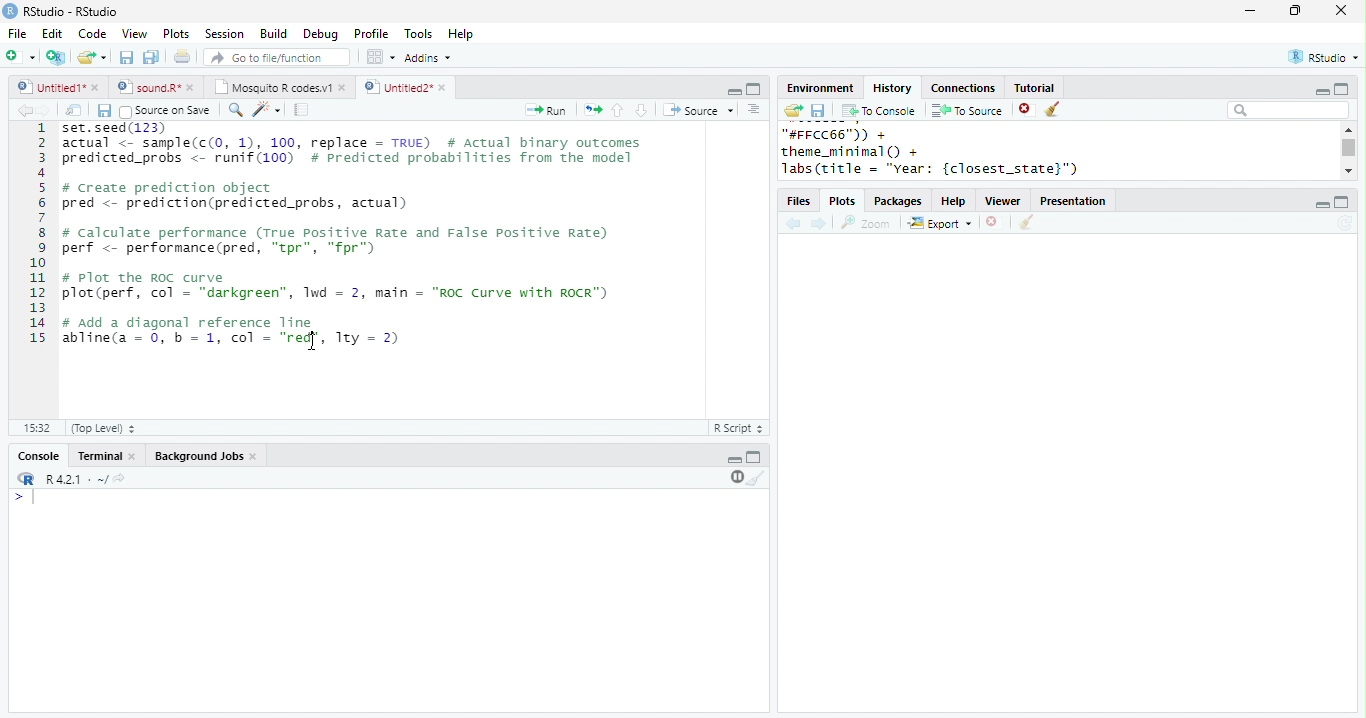 The height and width of the screenshot is (718, 1366). What do you see at coordinates (344, 87) in the screenshot?
I see `close` at bounding box center [344, 87].